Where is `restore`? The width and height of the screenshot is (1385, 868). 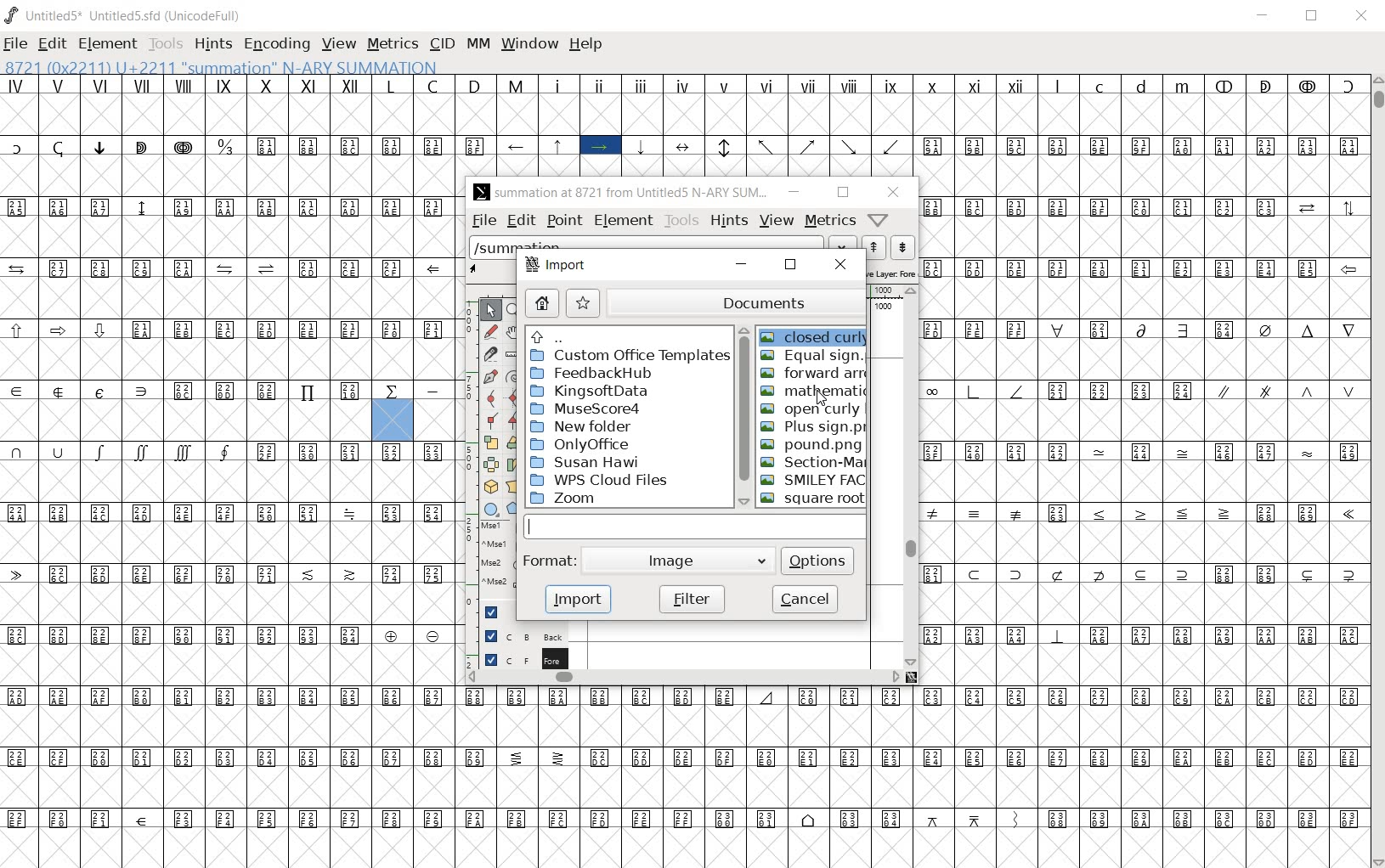 restore is located at coordinates (790, 267).